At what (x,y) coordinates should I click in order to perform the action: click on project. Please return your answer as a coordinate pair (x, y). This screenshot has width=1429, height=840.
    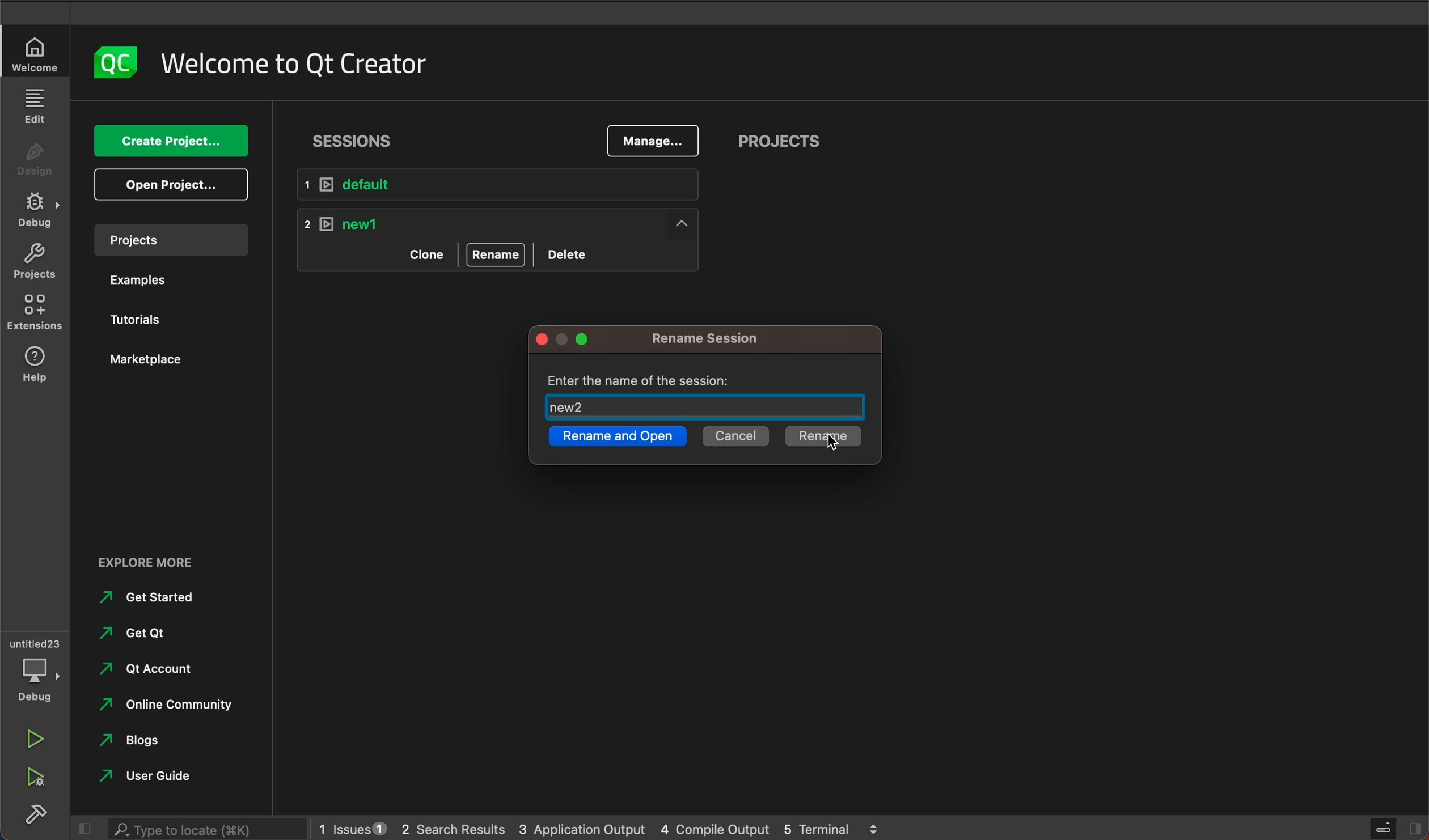
    Looking at the image, I should click on (34, 262).